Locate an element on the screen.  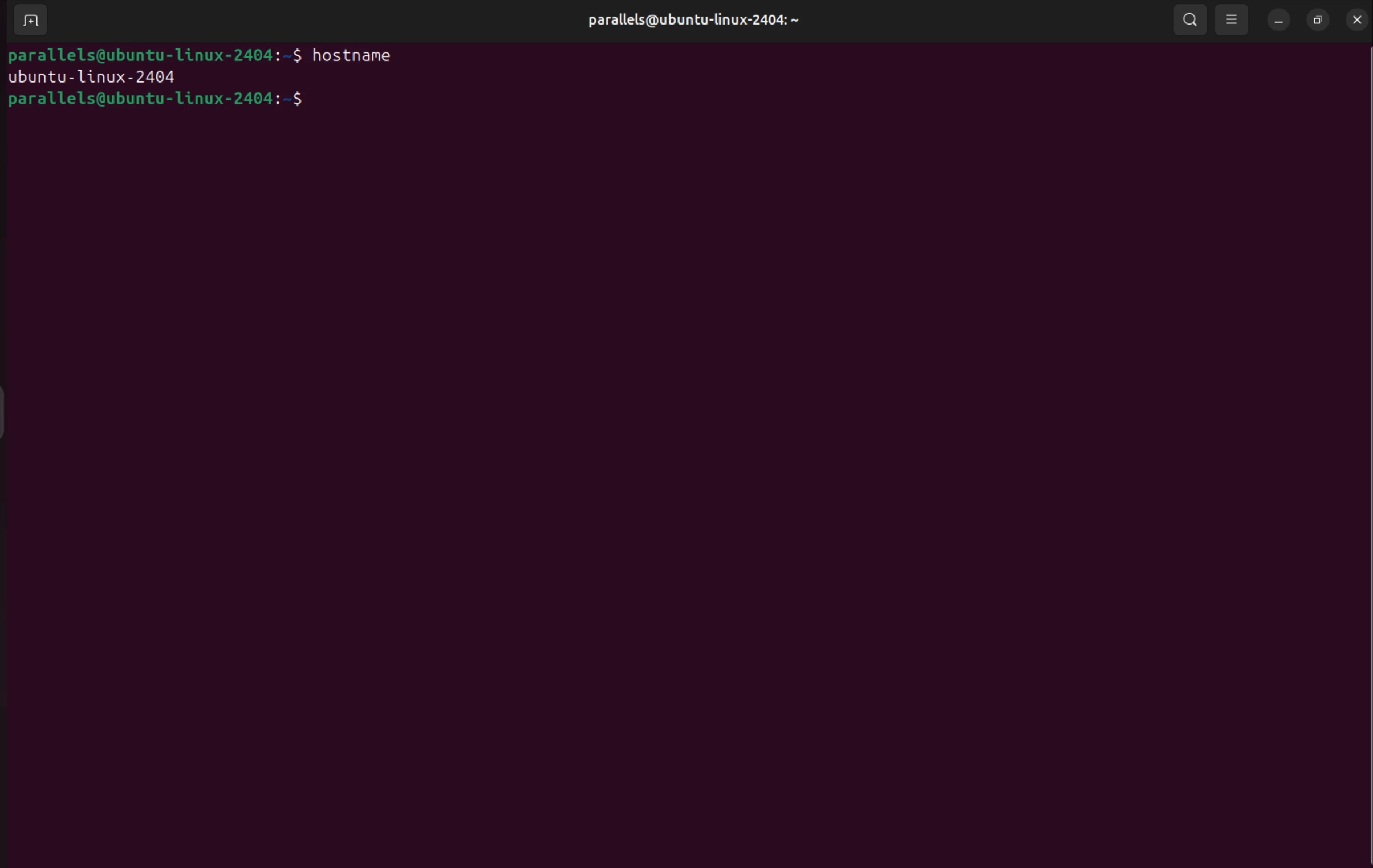
hostname is located at coordinates (359, 55).